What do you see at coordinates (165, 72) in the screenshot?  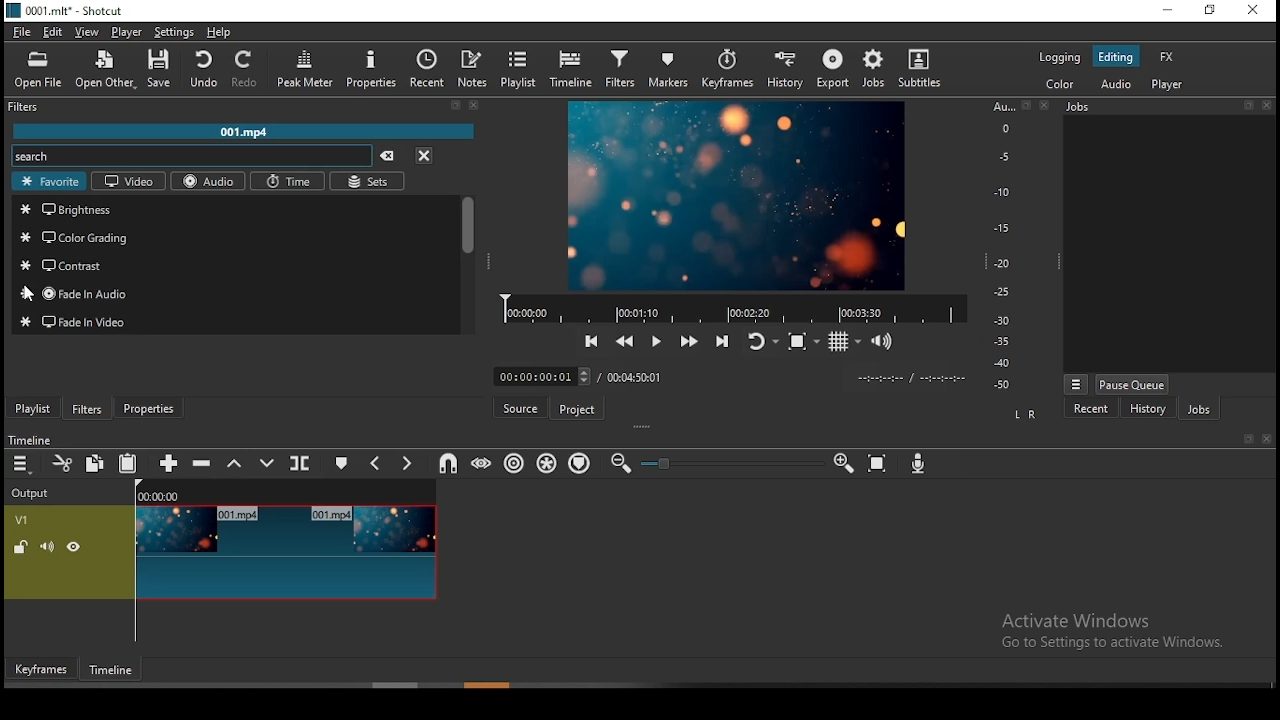 I see `save` at bounding box center [165, 72].